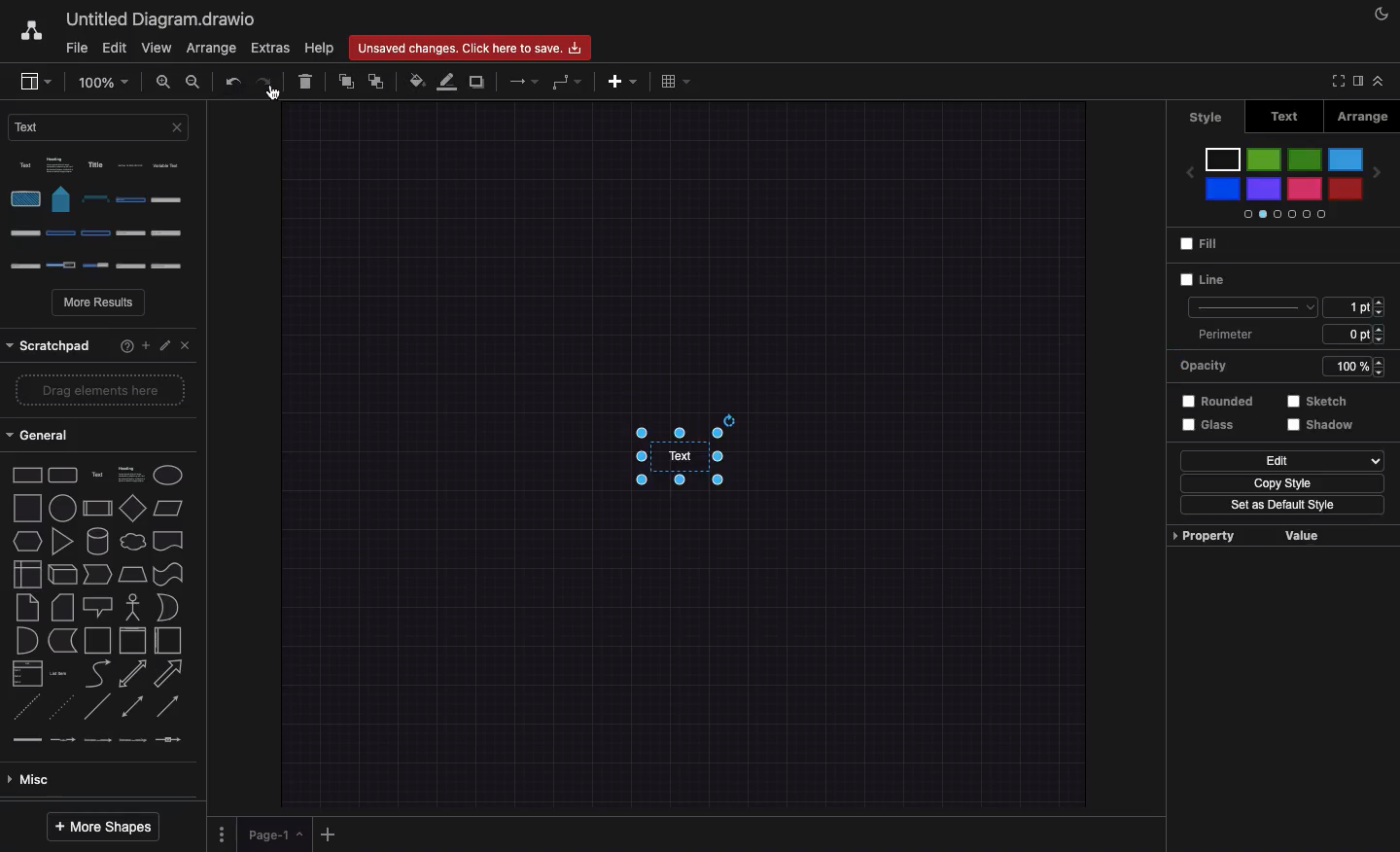 This screenshot has width=1400, height=852. Describe the element at coordinates (1280, 461) in the screenshot. I see `Edit` at that location.